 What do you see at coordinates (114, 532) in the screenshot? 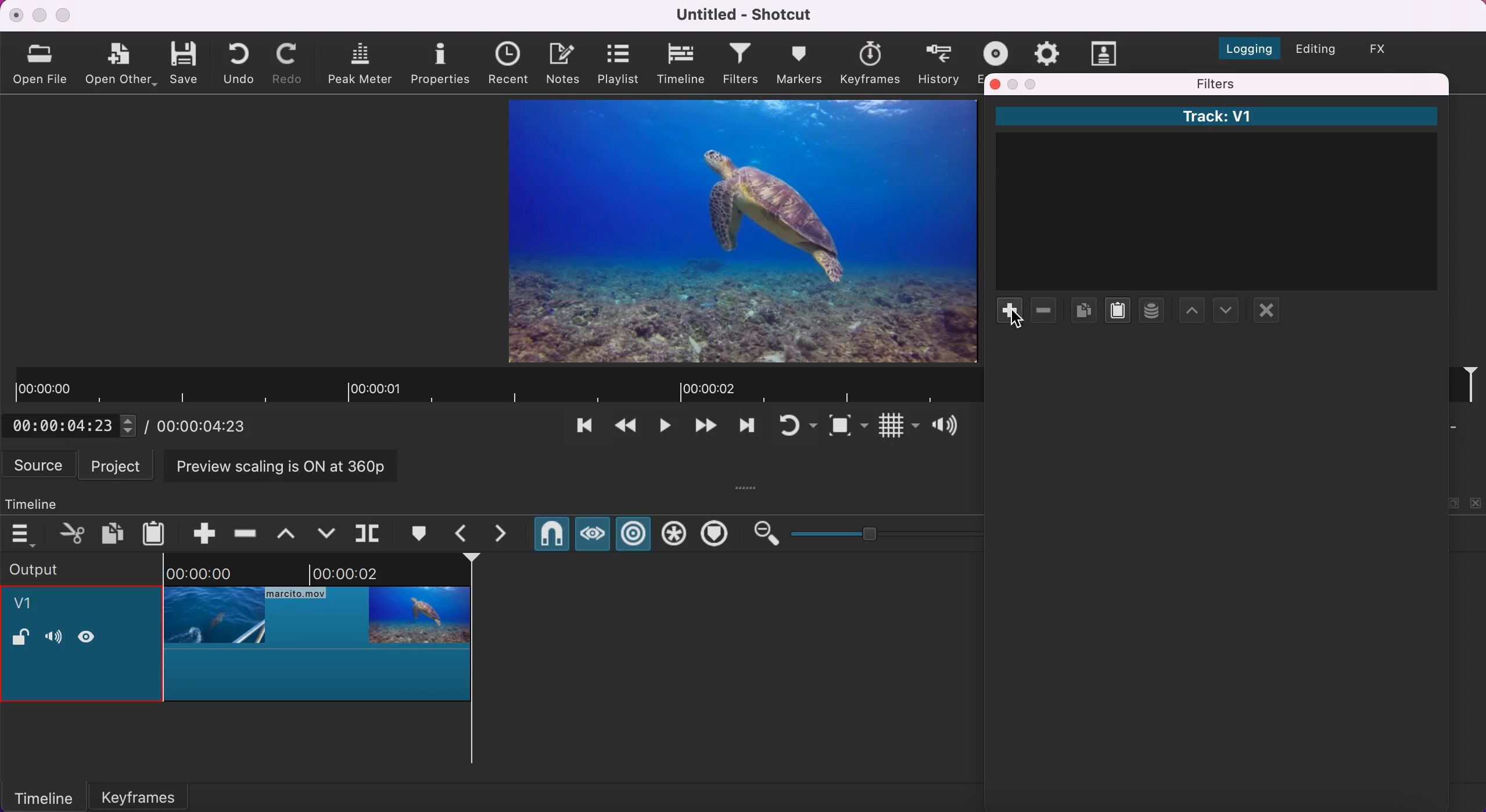
I see `copy` at bounding box center [114, 532].